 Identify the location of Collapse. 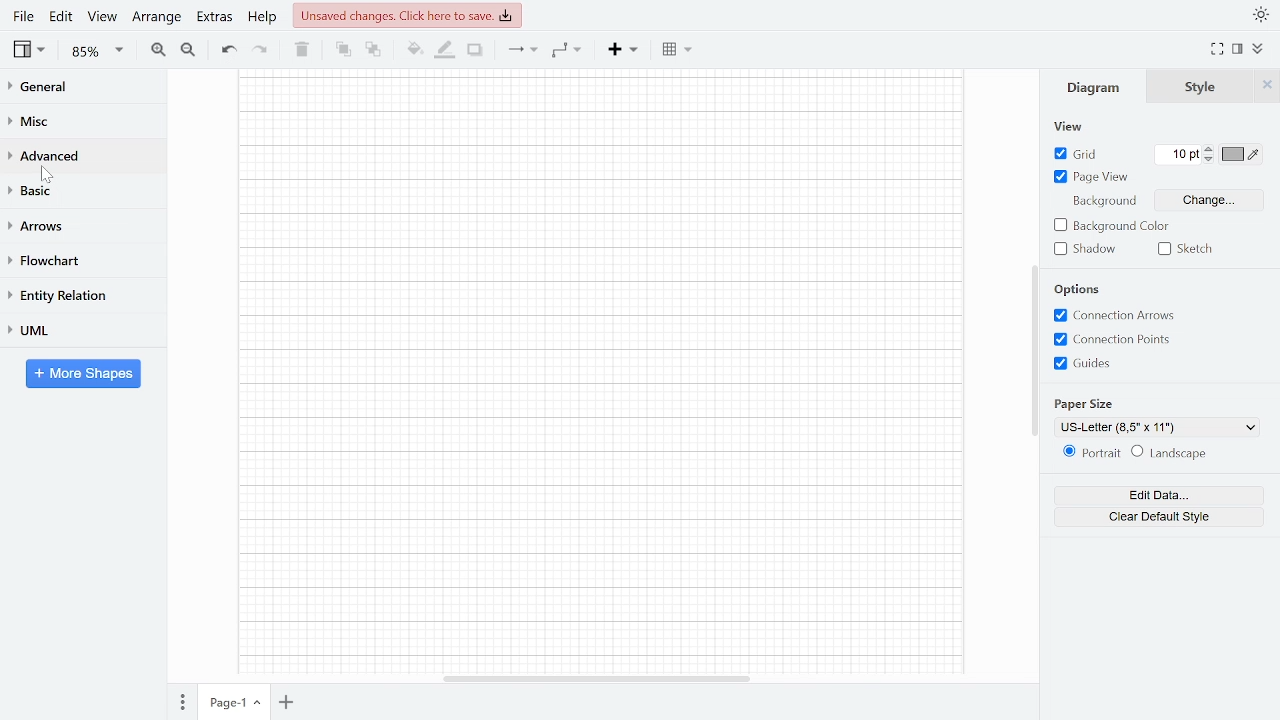
(1259, 51).